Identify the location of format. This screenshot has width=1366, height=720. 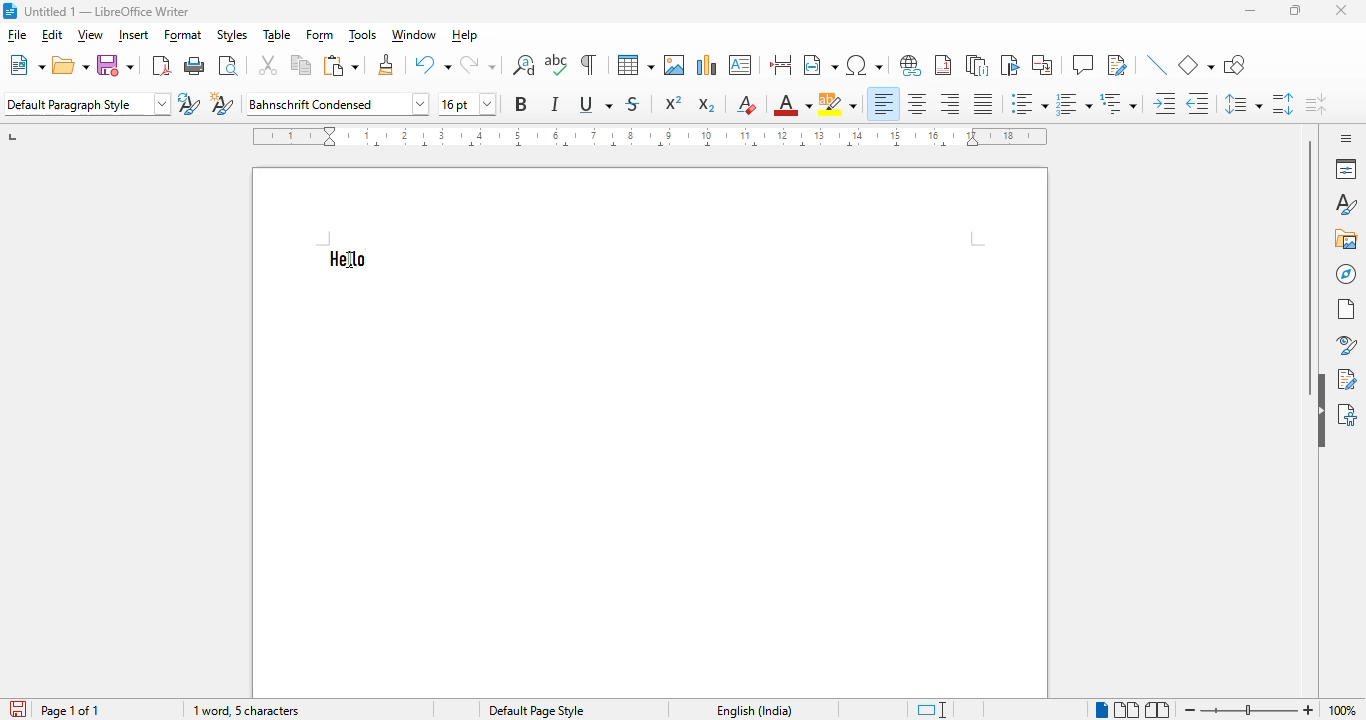
(184, 37).